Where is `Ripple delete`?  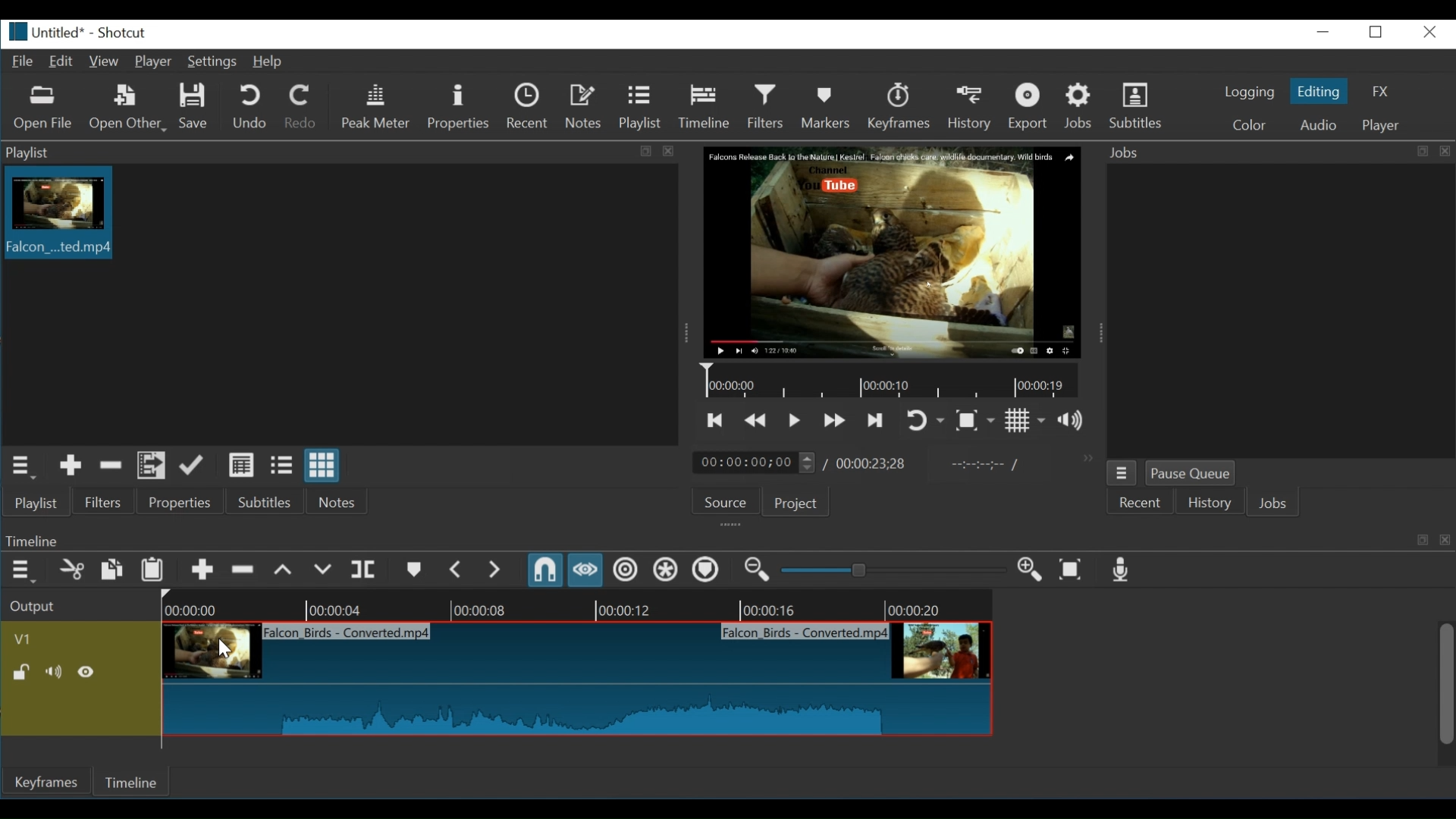
Ripple delete is located at coordinates (243, 570).